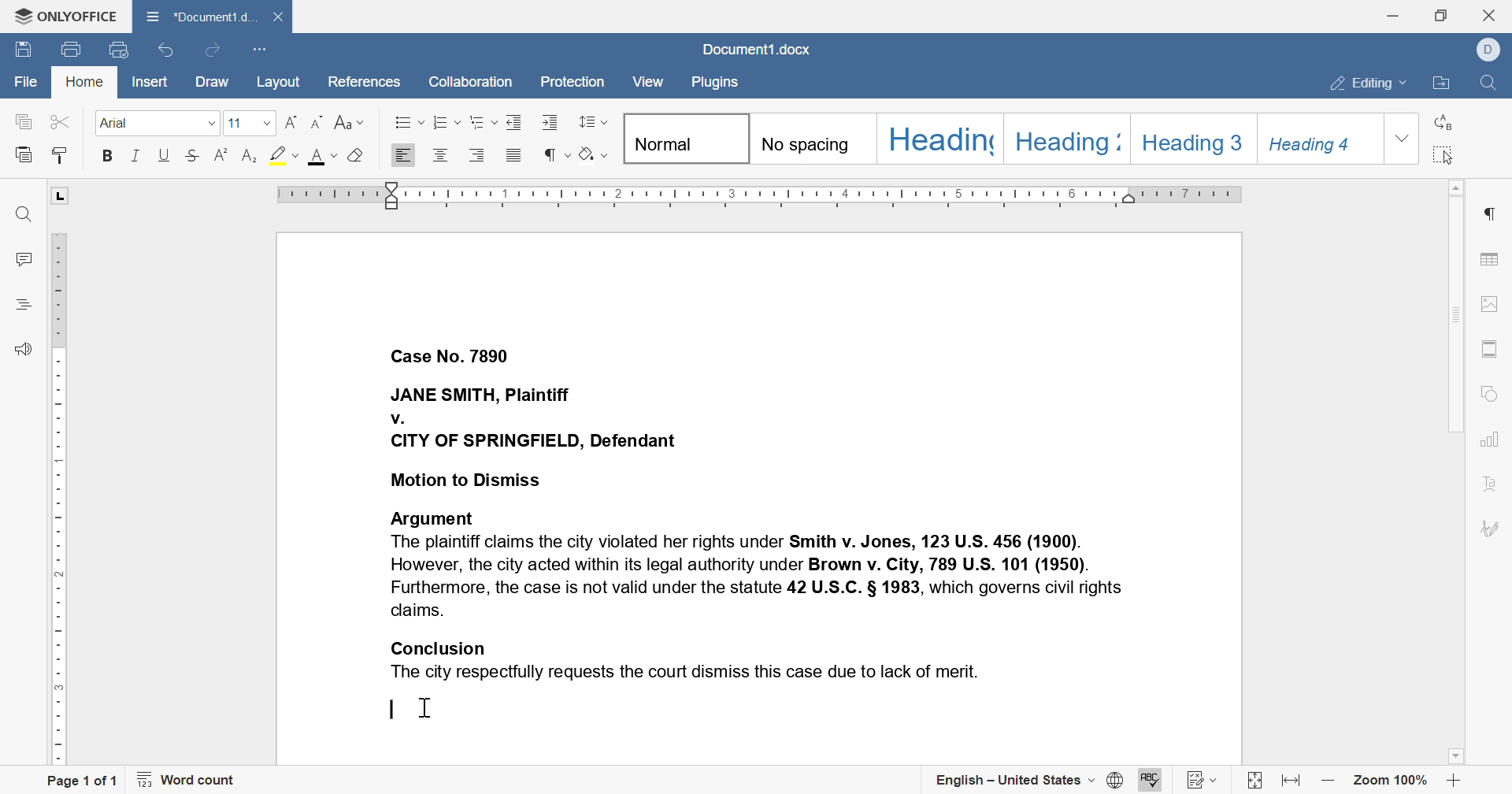 The image size is (1512, 794). Describe the element at coordinates (367, 84) in the screenshot. I see `references` at that location.